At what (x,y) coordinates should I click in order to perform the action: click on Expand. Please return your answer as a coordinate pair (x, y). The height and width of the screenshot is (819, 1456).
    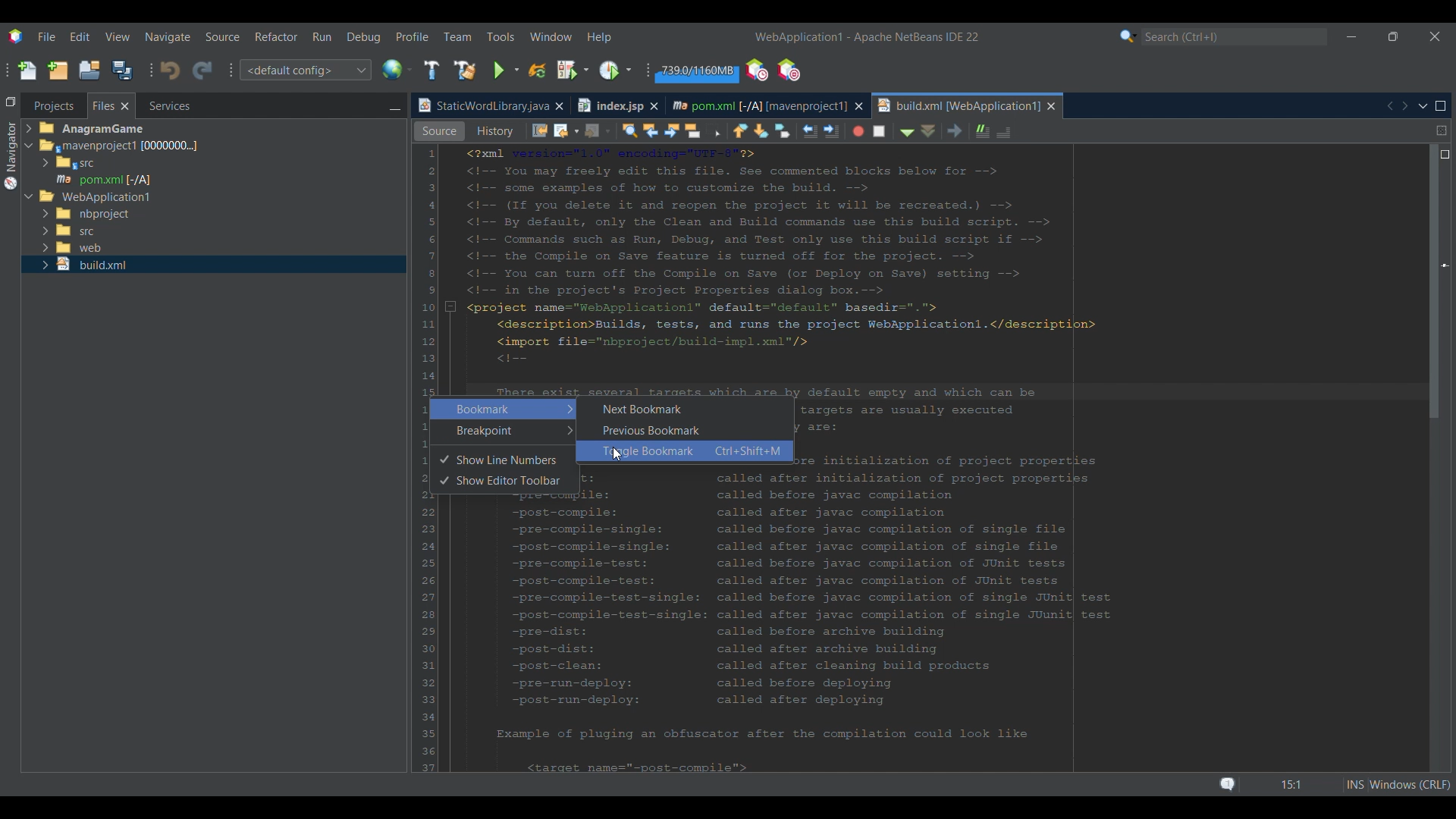
    Looking at the image, I should click on (31, 165).